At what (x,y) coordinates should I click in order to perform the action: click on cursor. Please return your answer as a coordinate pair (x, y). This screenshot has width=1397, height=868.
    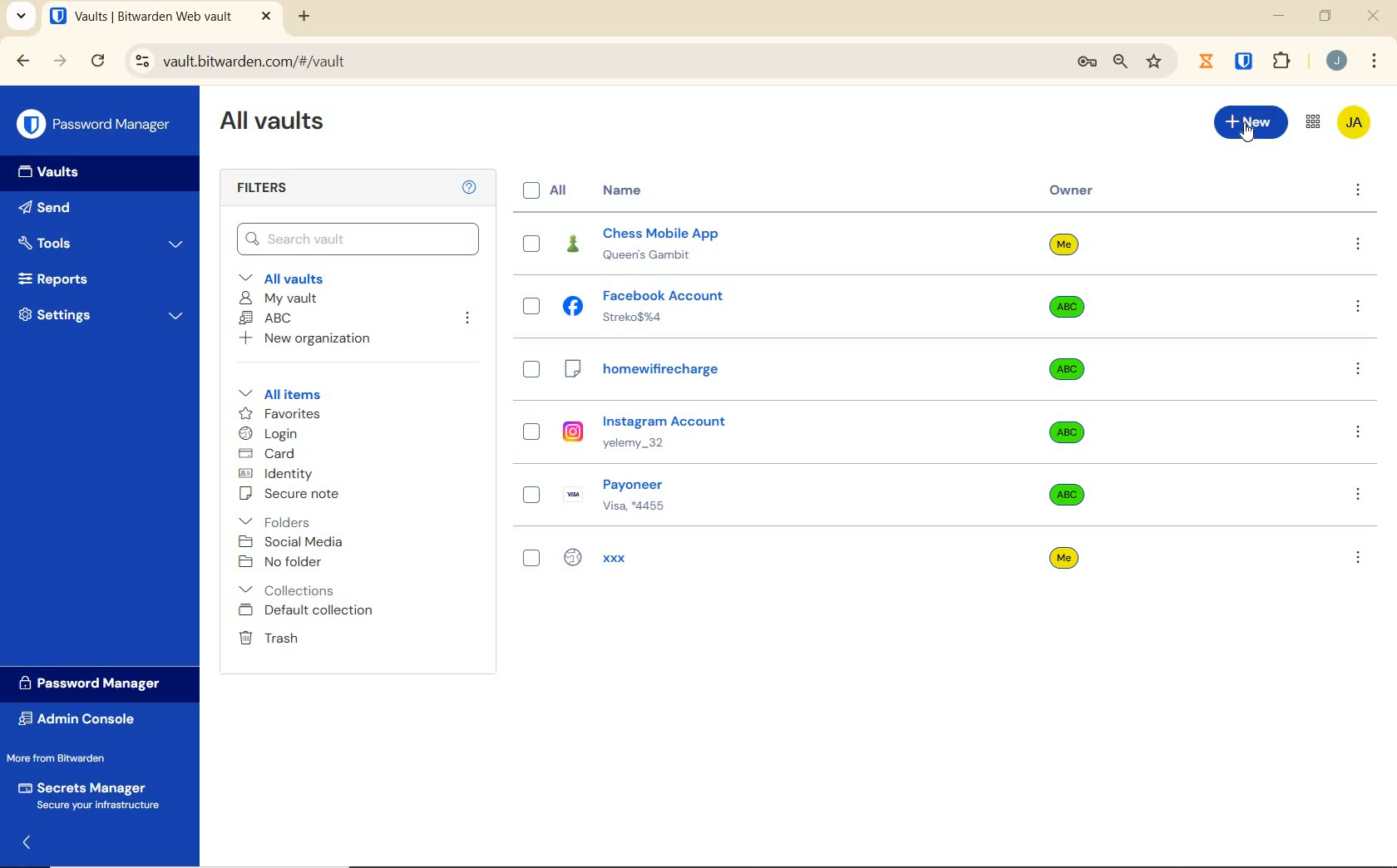
    Looking at the image, I should click on (1247, 136).